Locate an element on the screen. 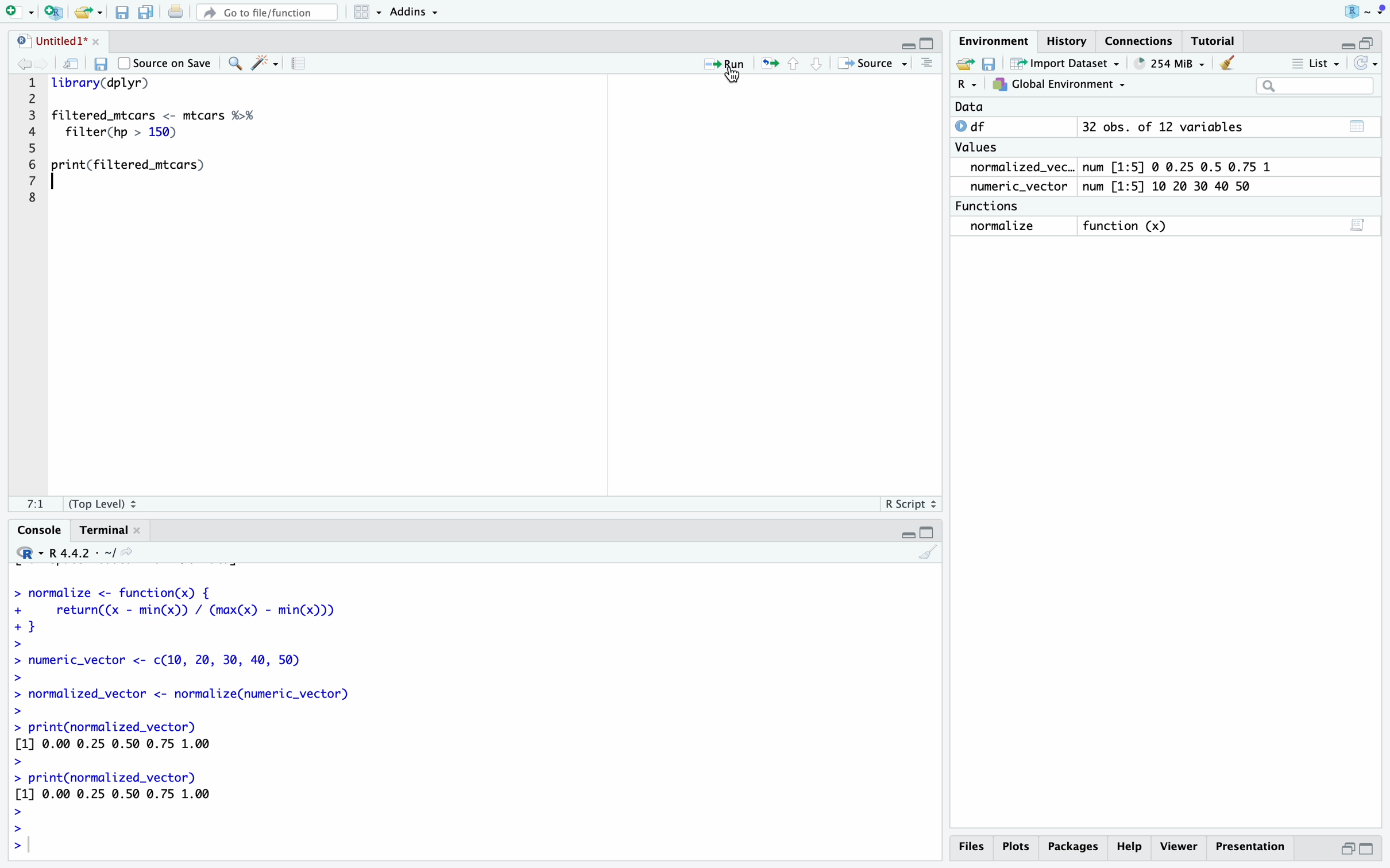  Show document outline is located at coordinates (928, 64).